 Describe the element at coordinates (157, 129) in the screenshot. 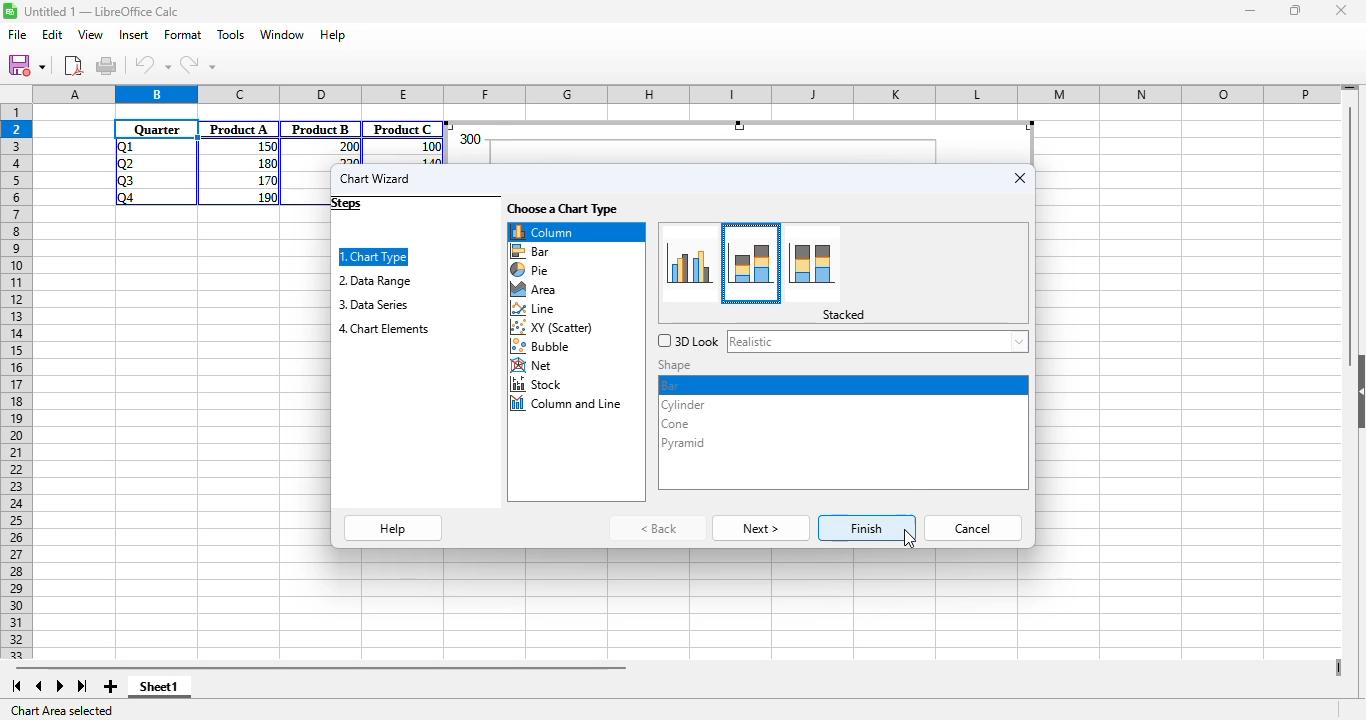

I see `Quarter/Cell selected` at that location.